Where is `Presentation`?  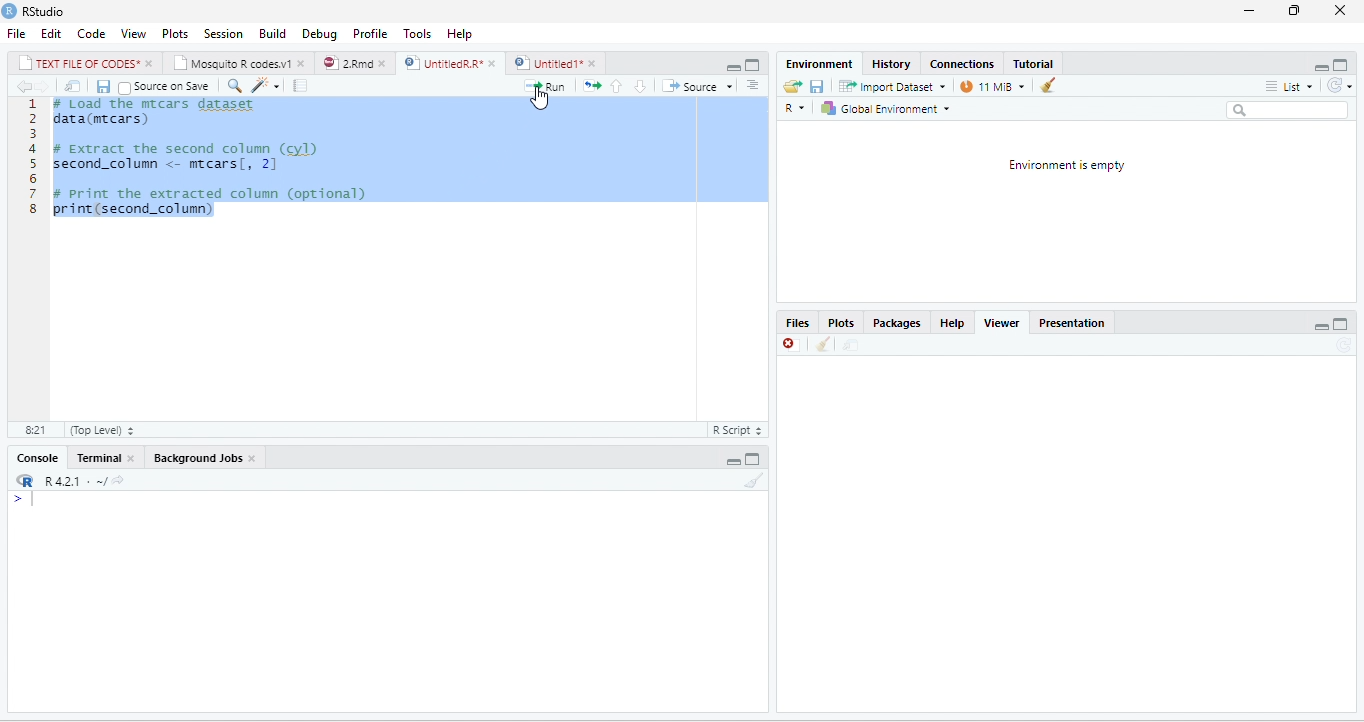 Presentation is located at coordinates (1077, 323).